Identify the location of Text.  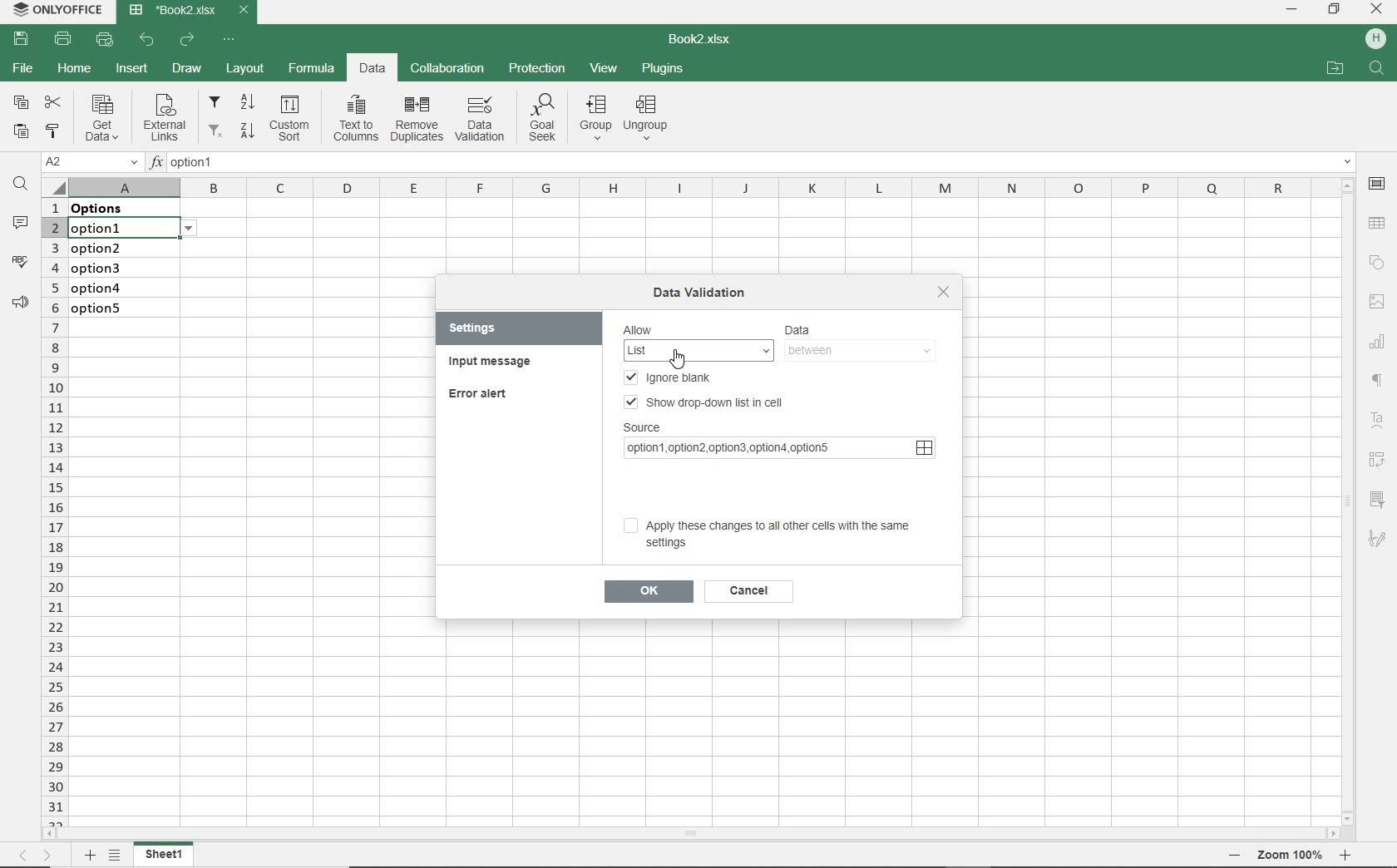
(1377, 421).